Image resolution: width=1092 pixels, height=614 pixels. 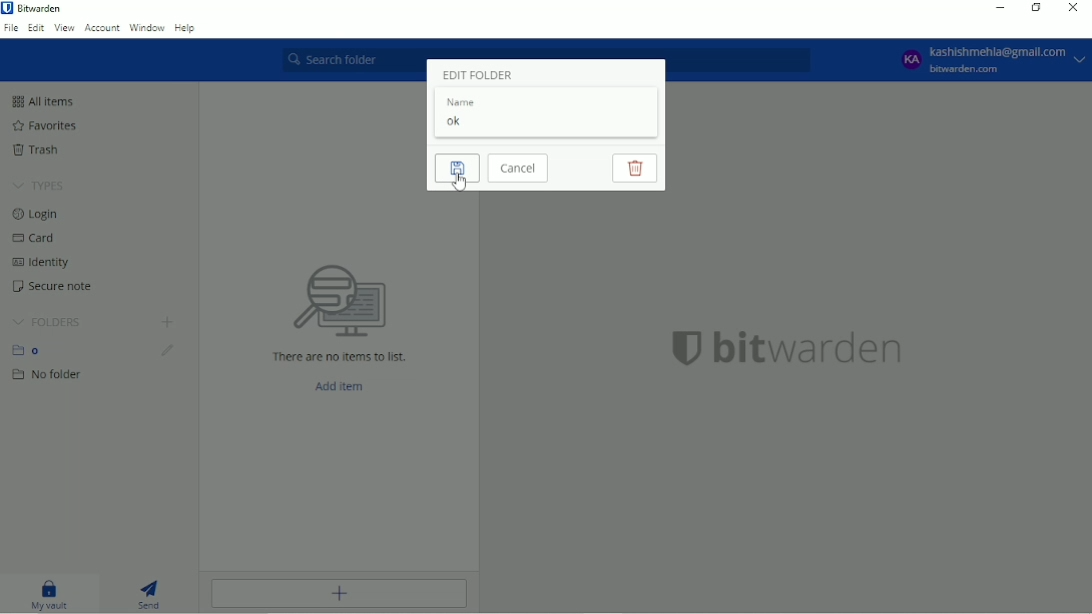 What do you see at coordinates (37, 27) in the screenshot?
I see `Edit` at bounding box center [37, 27].